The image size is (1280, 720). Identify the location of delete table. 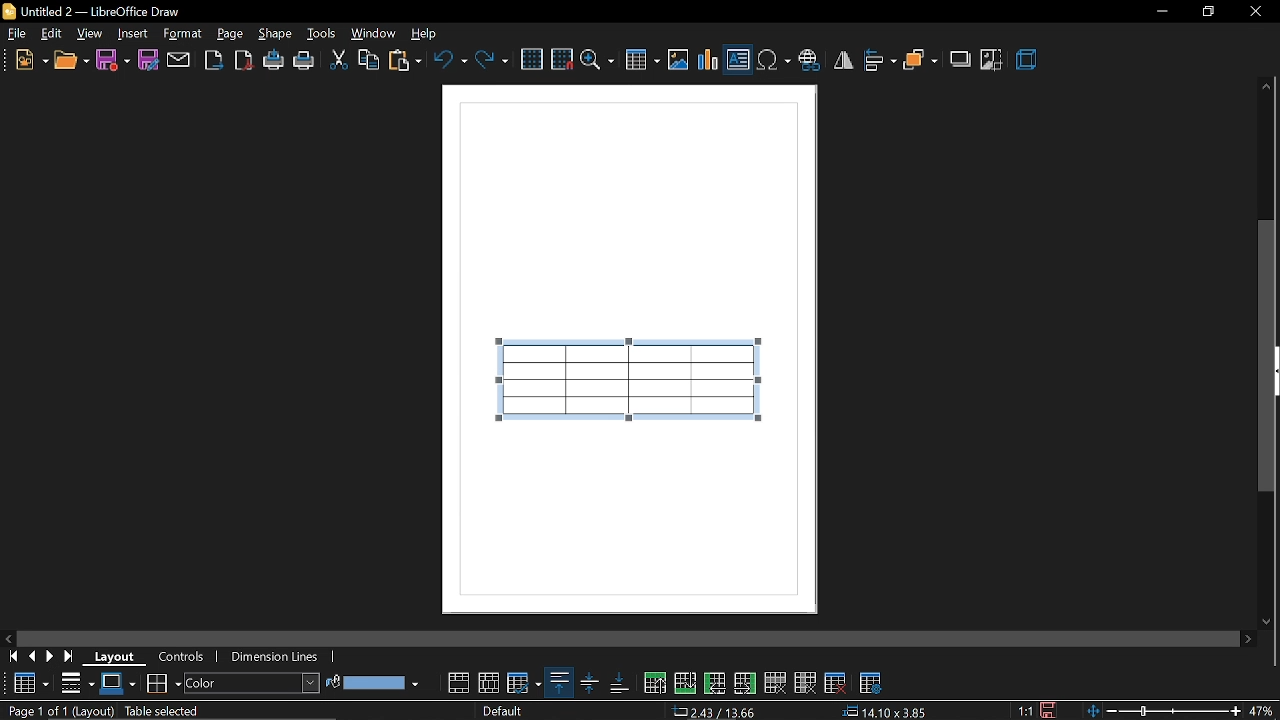
(834, 682).